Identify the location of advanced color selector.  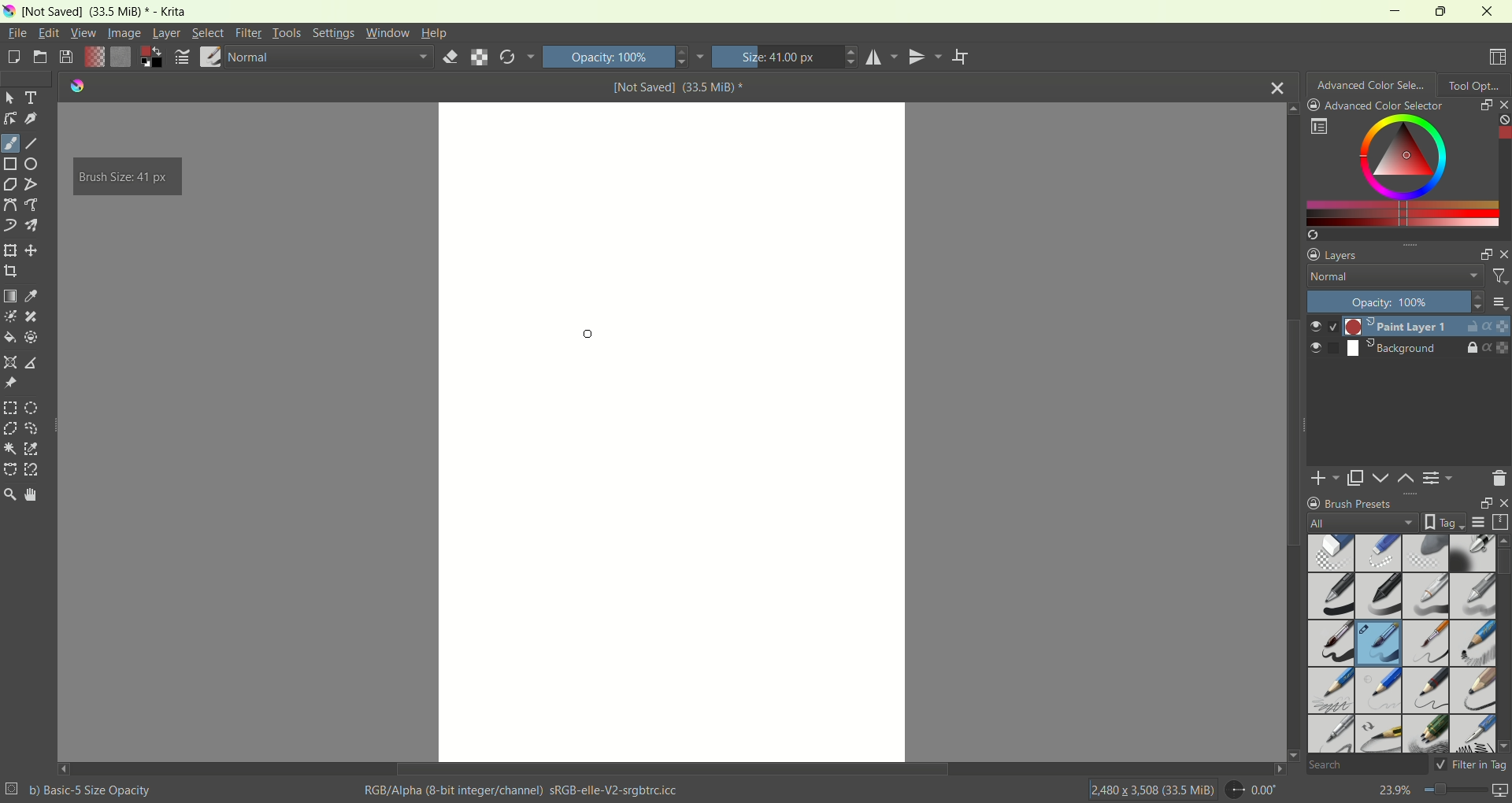
(1376, 105).